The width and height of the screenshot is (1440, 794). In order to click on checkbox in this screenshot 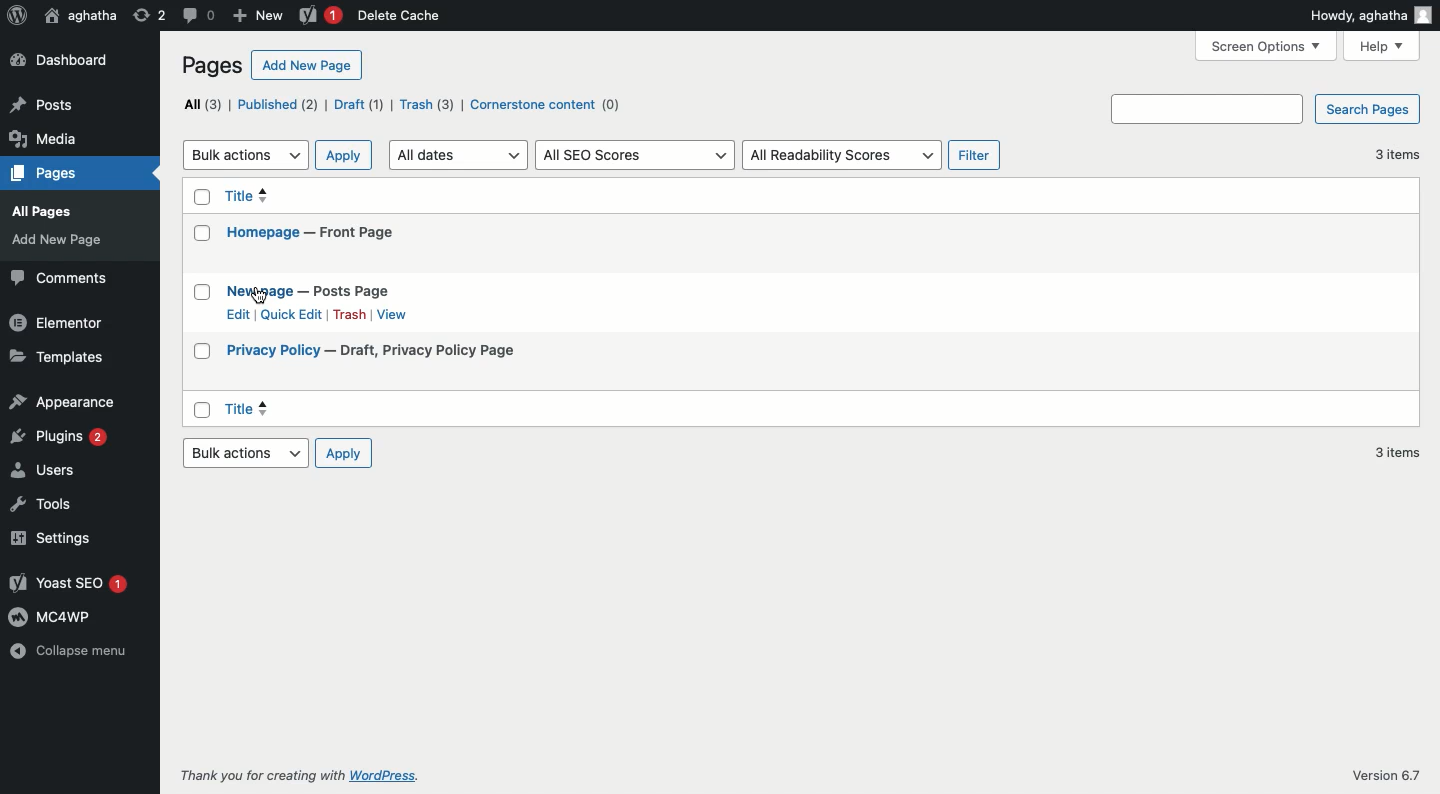, I will do `click(200, 292)`.